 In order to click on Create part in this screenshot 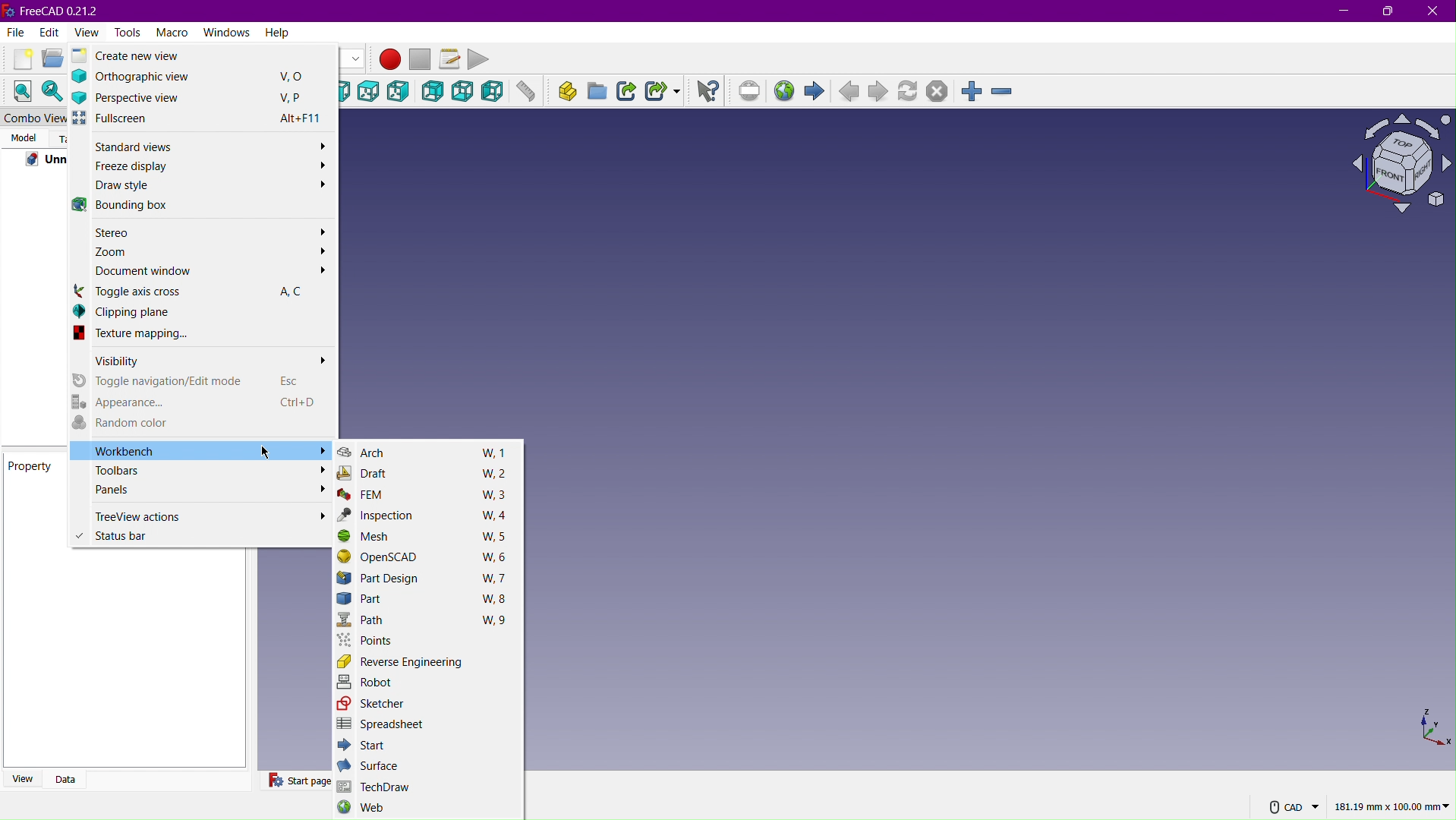, I will do `click(564, 93)`.